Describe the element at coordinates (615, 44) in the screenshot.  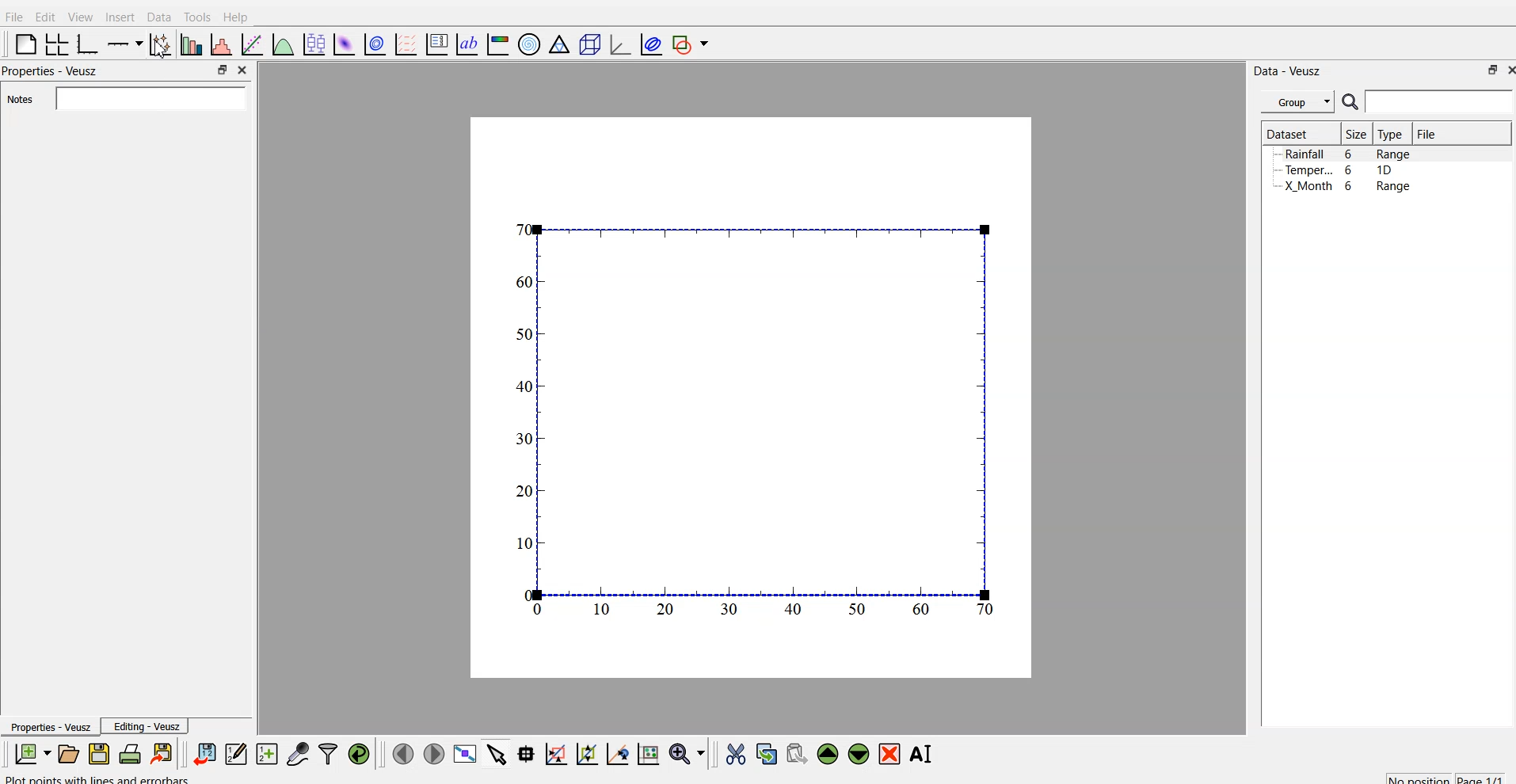
I see `3D graph` at that location.